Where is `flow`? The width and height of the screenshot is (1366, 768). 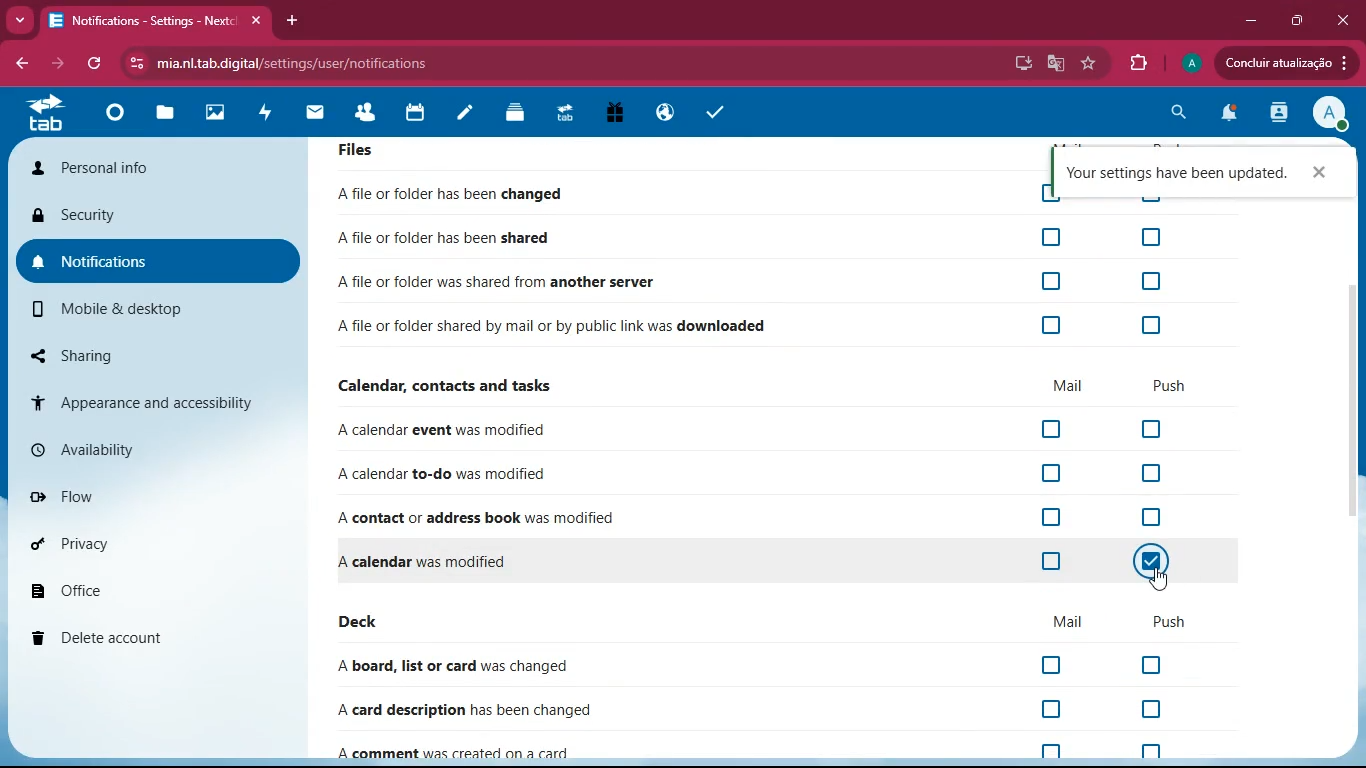
flow is located at coordinates (142, 496).